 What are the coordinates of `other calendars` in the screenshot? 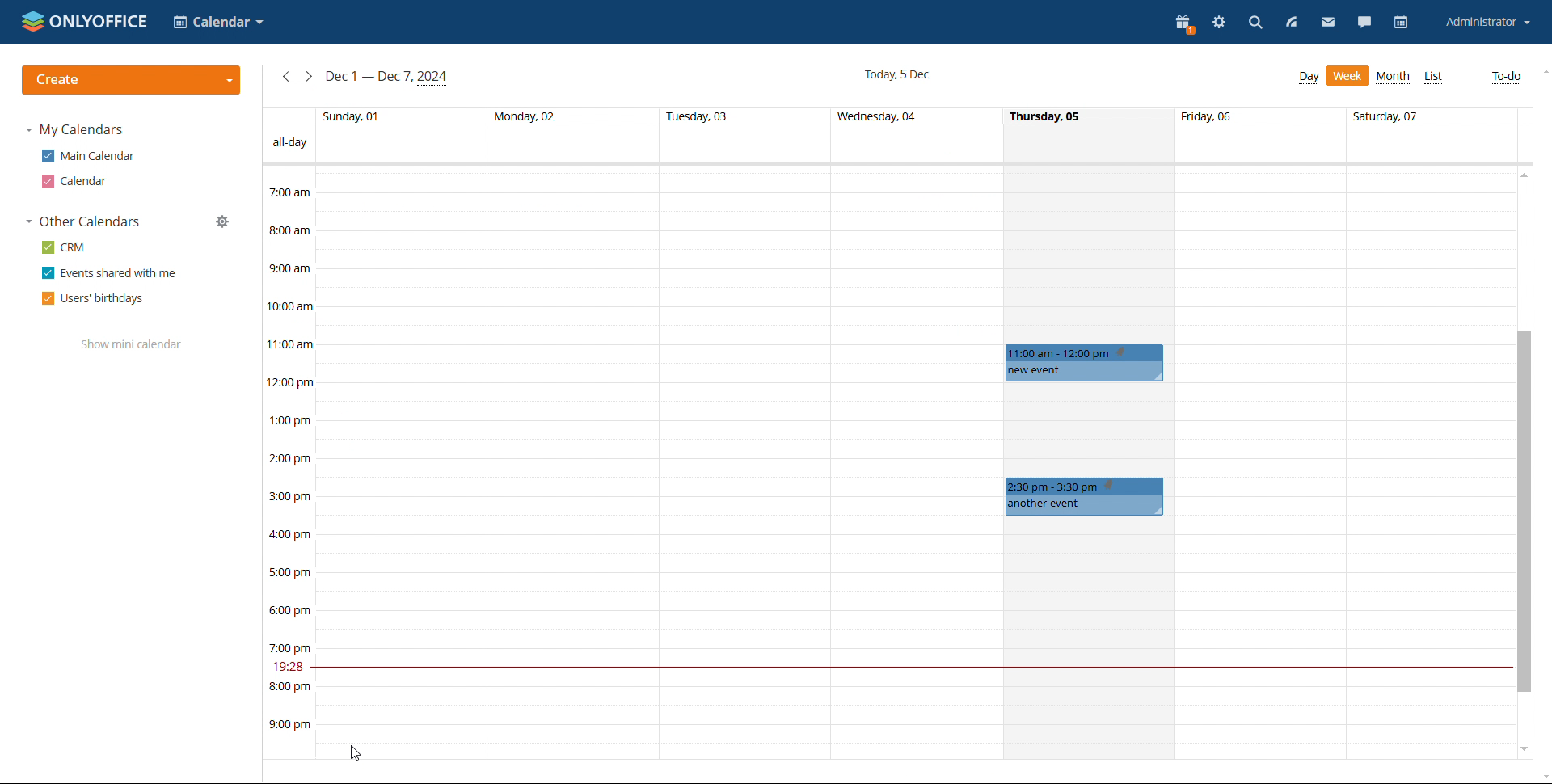 It's located at (82, 222).